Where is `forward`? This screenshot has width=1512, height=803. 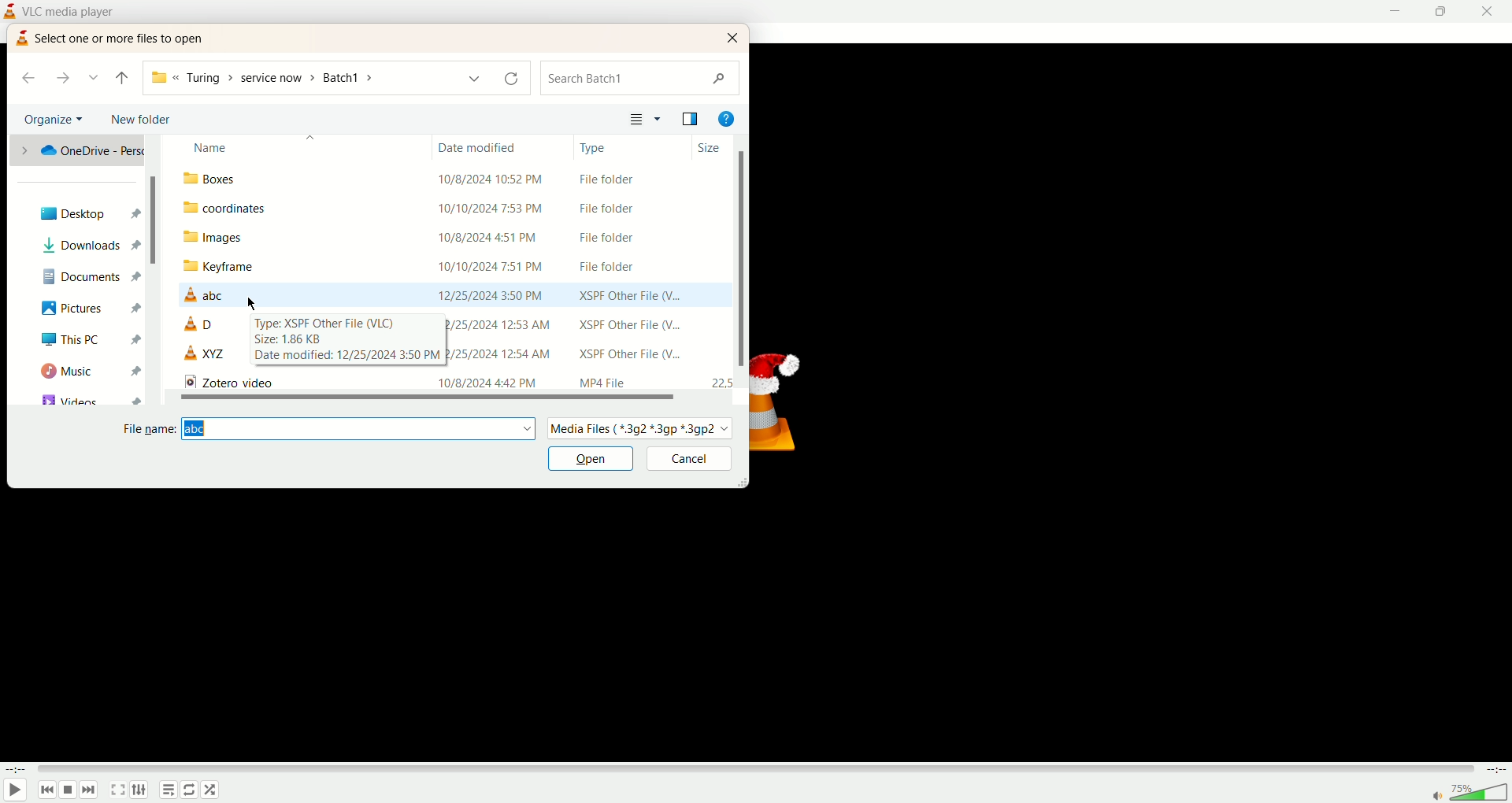
forward is located at coordinates (63, 80).